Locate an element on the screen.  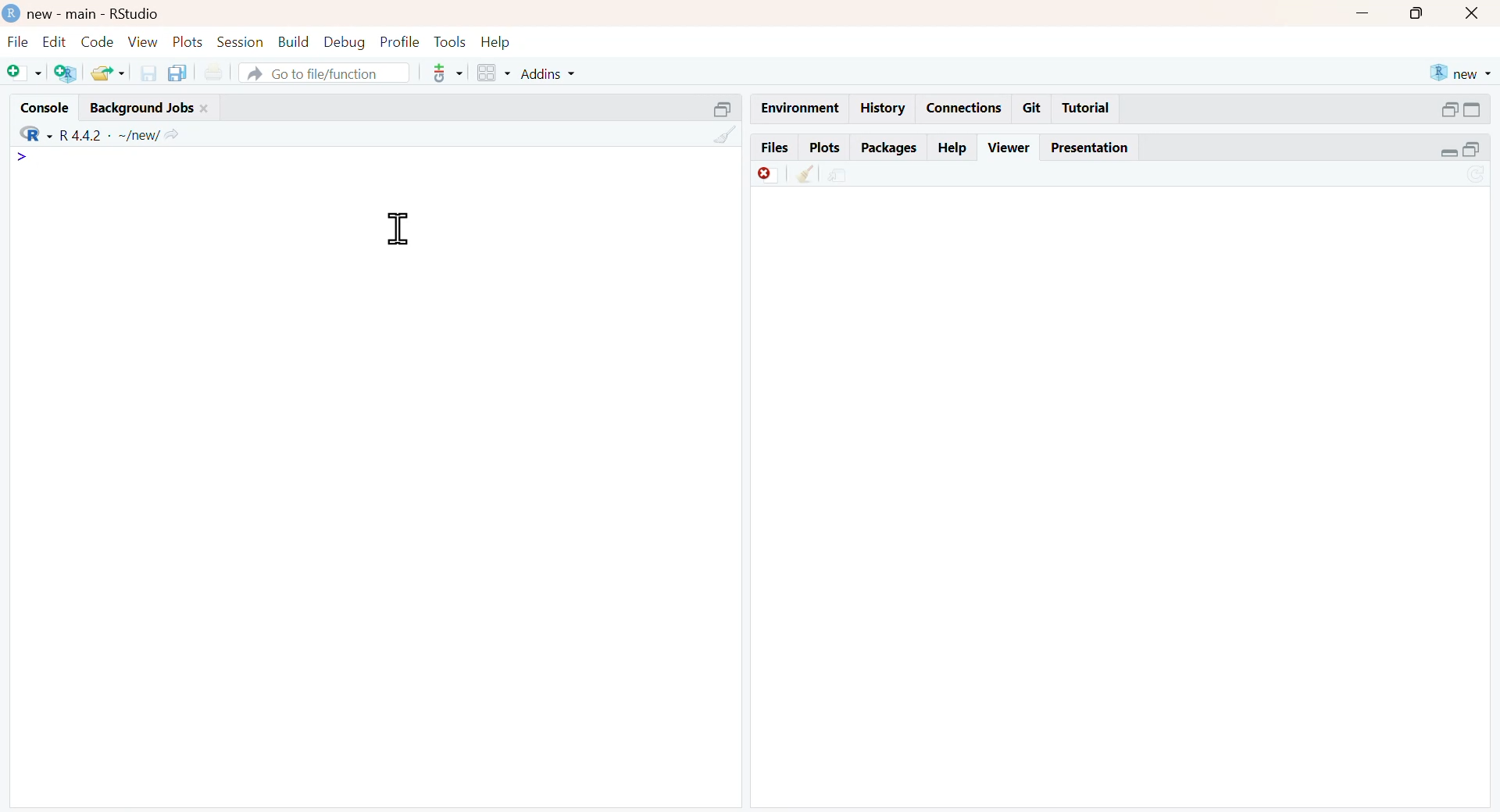
New file is located at coordinates (20, 69).